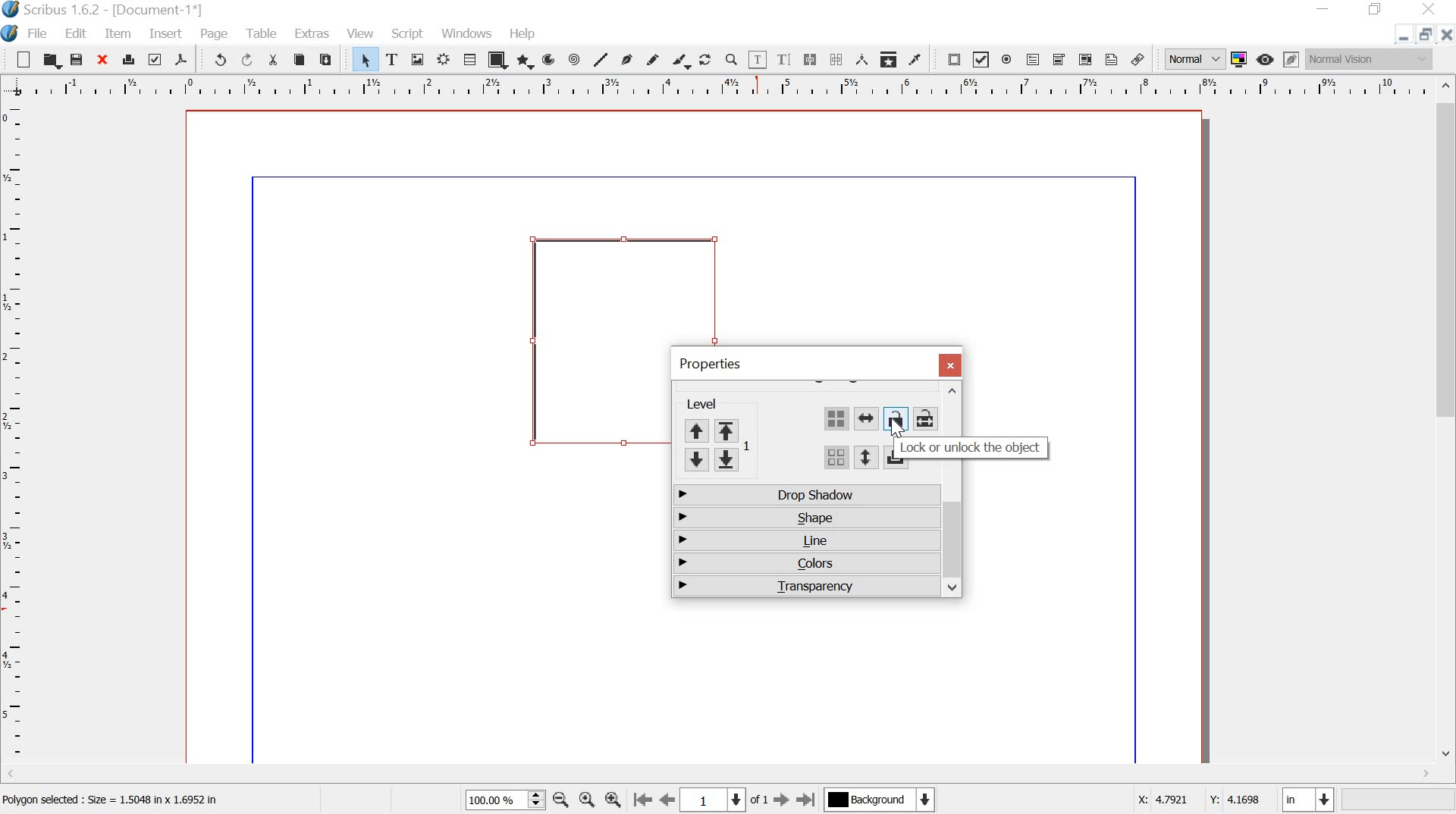  What do you see at coordinates (805, 585) in the screenshot?
I see `transparency` at bounding box center [805, 585].